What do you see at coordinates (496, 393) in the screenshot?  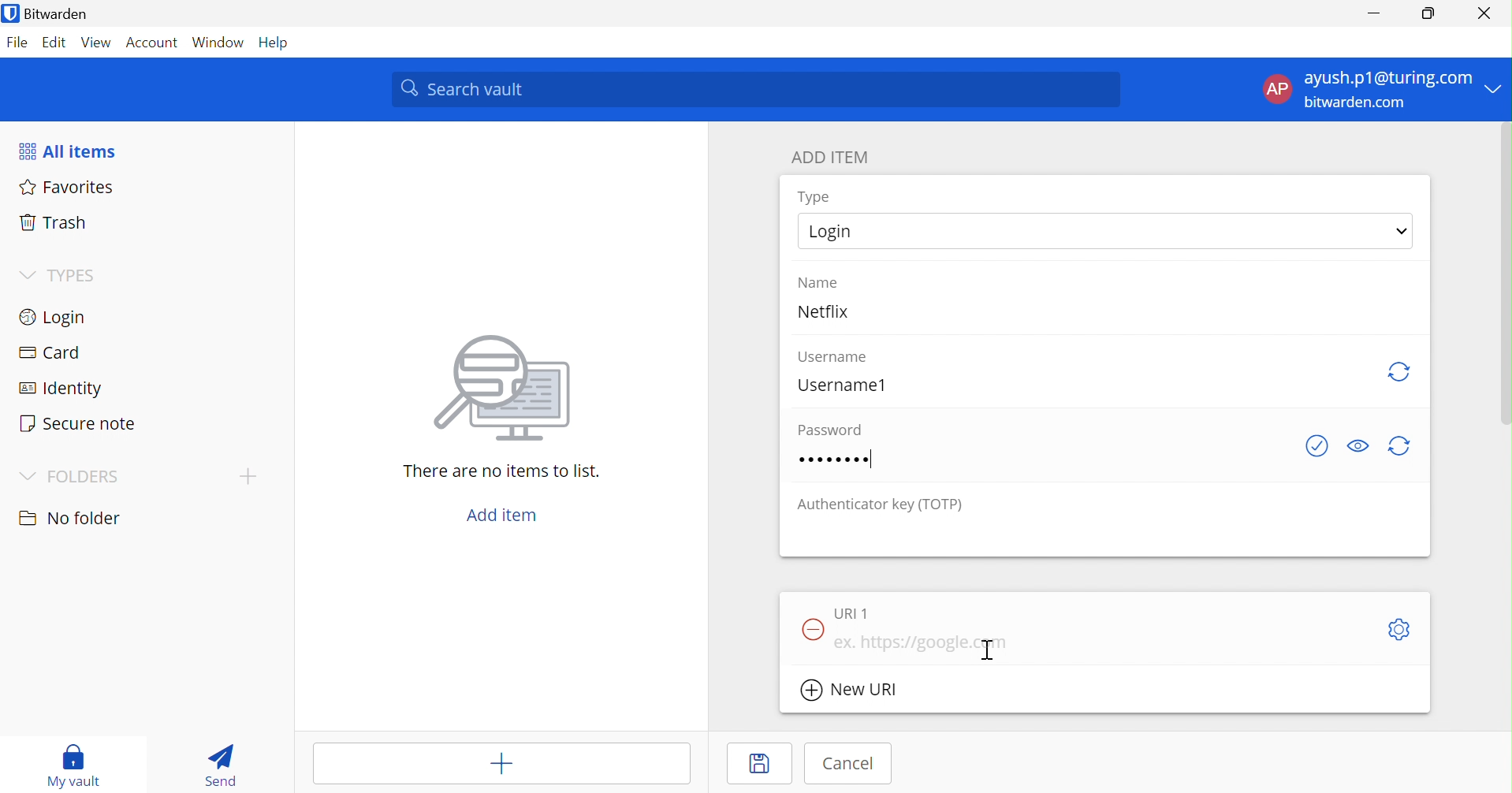 I see `image` at bounding box center [496, 393].